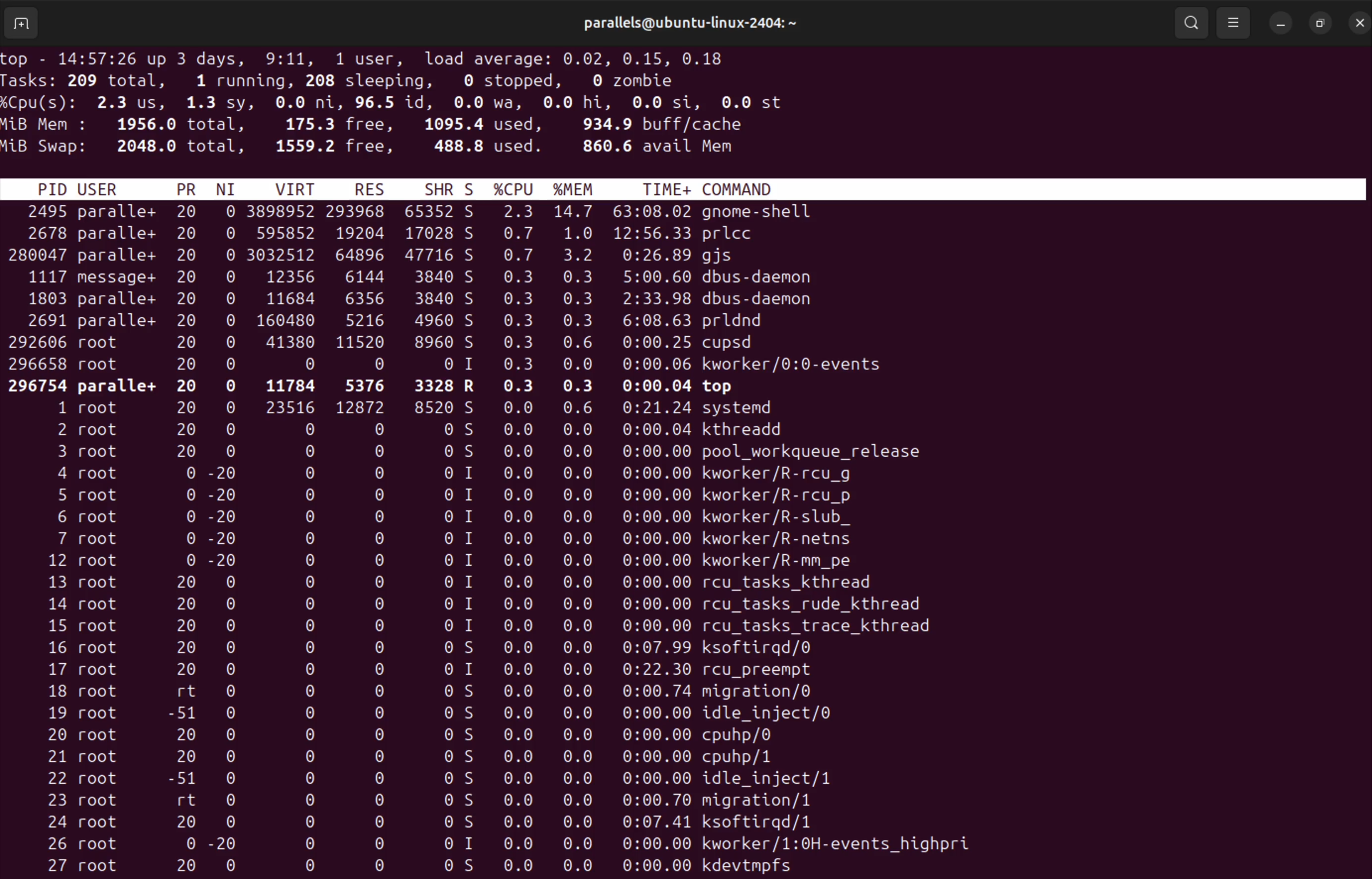 This screenshot has width=1372, height=879. I want to click on time+ command, so click(711, 188).